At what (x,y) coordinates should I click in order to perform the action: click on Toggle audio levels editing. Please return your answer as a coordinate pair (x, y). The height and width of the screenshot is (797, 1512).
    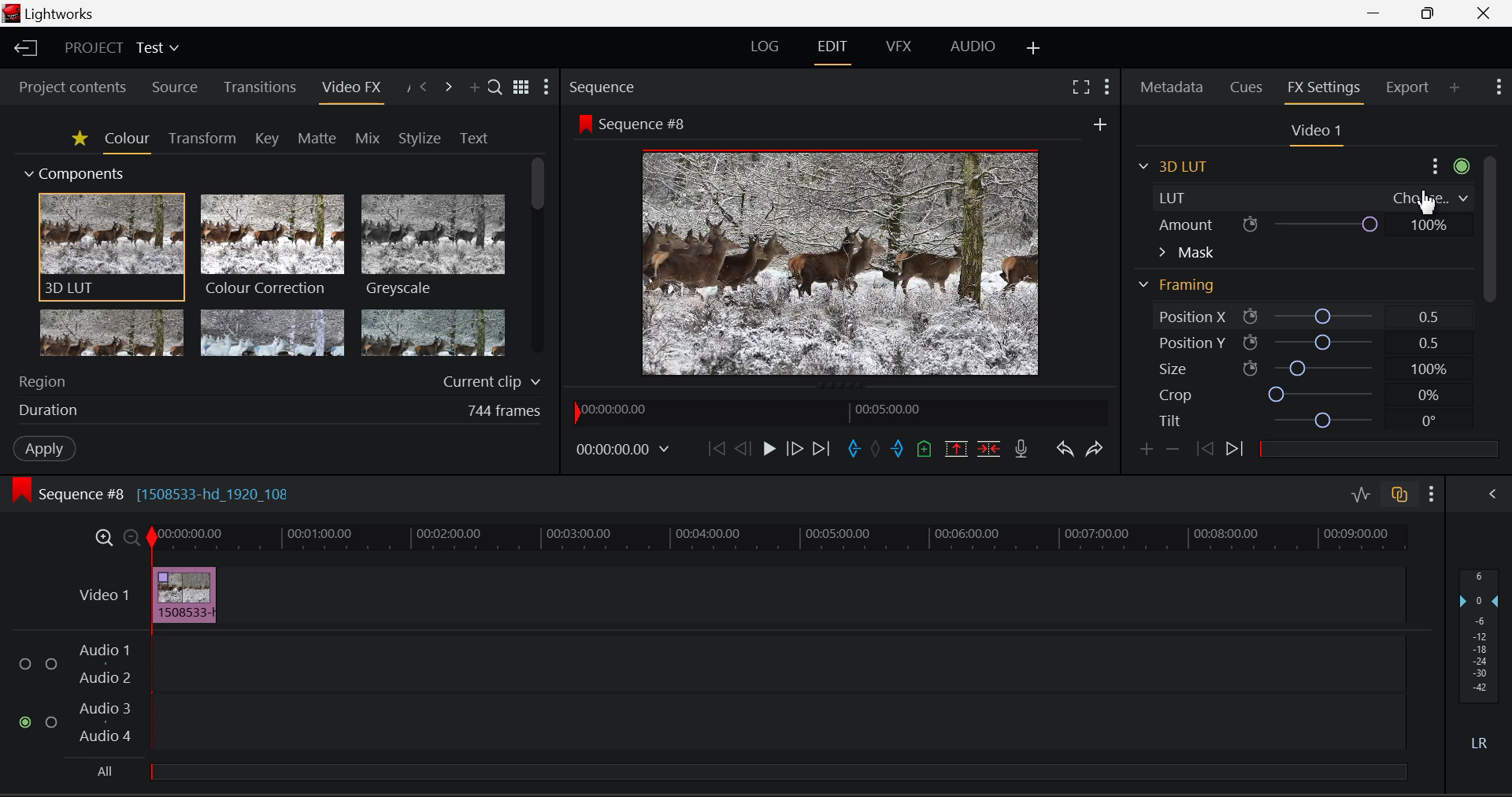
    Looking at the image, I should click on (1361, 493).